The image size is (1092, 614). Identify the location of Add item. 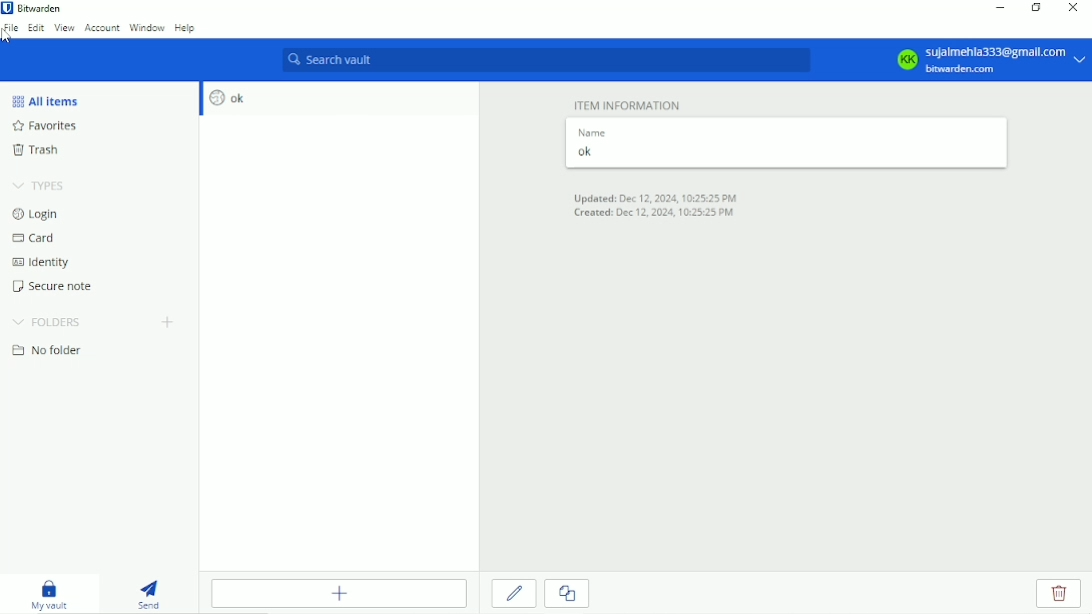
(339, 593).